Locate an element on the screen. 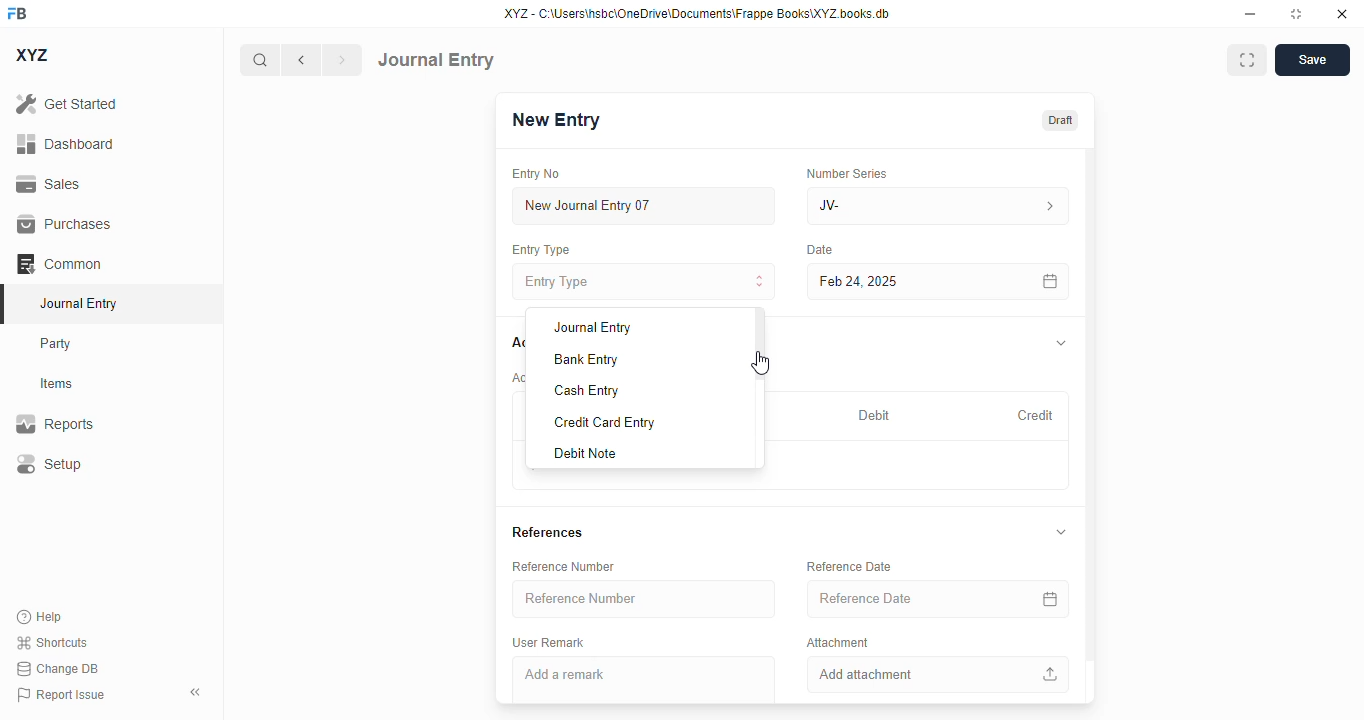 This screenshot has height=720, width=1364. party is located at coordinates (58, 344).